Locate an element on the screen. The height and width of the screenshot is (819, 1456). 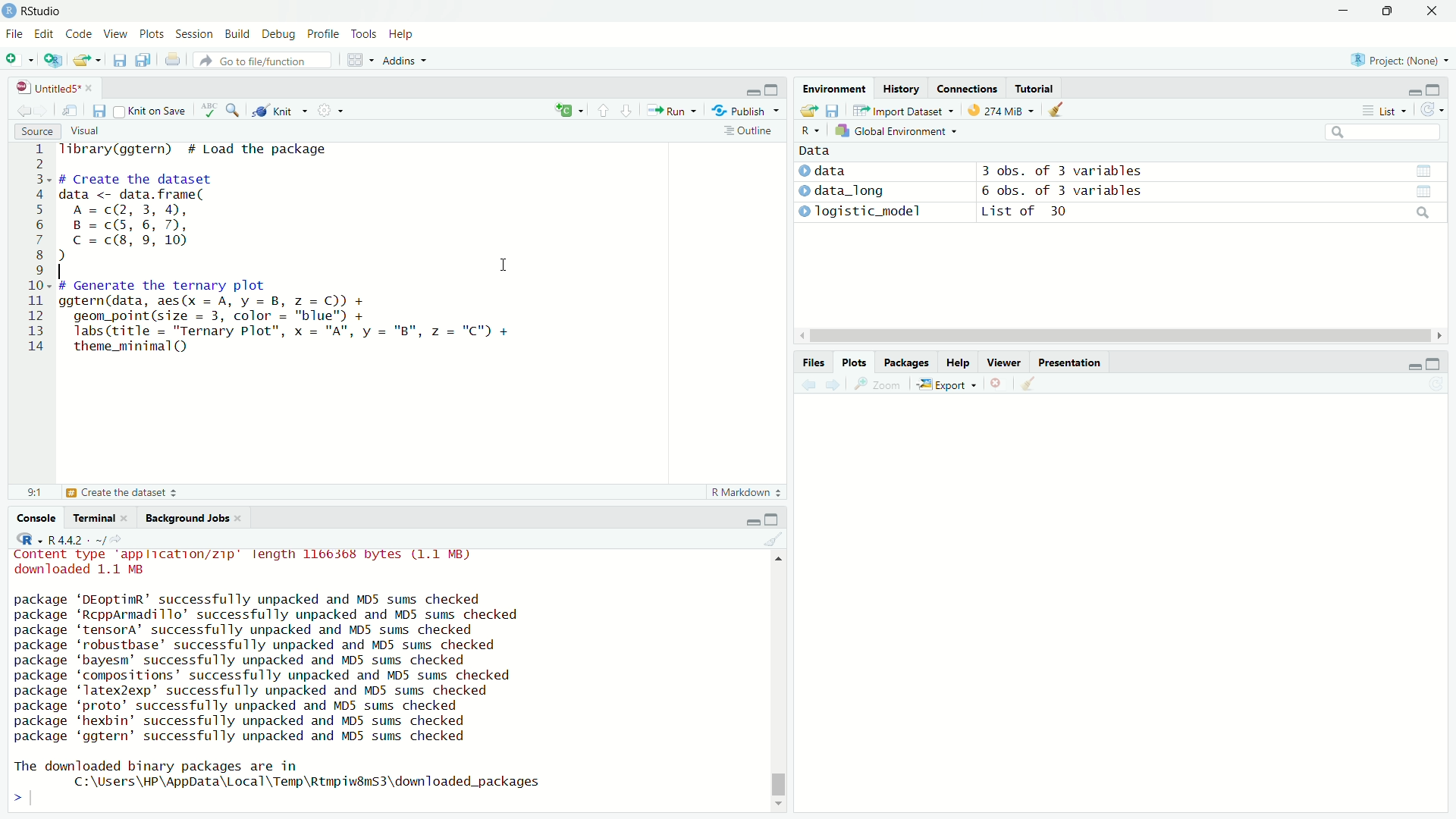
copy is located at coordinates (141, 61).